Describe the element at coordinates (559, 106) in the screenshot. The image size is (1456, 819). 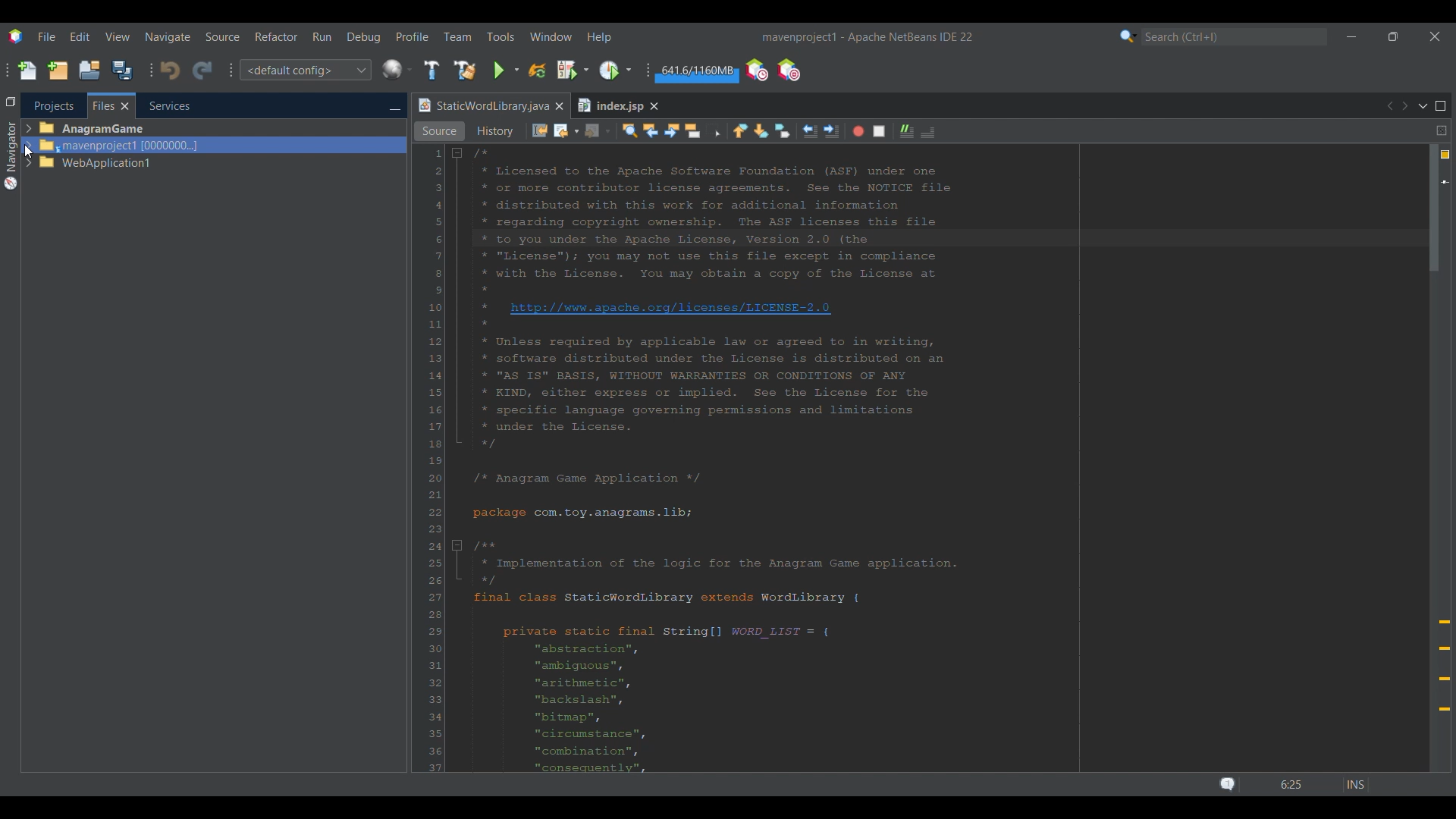
I see `Close tab` at that location.